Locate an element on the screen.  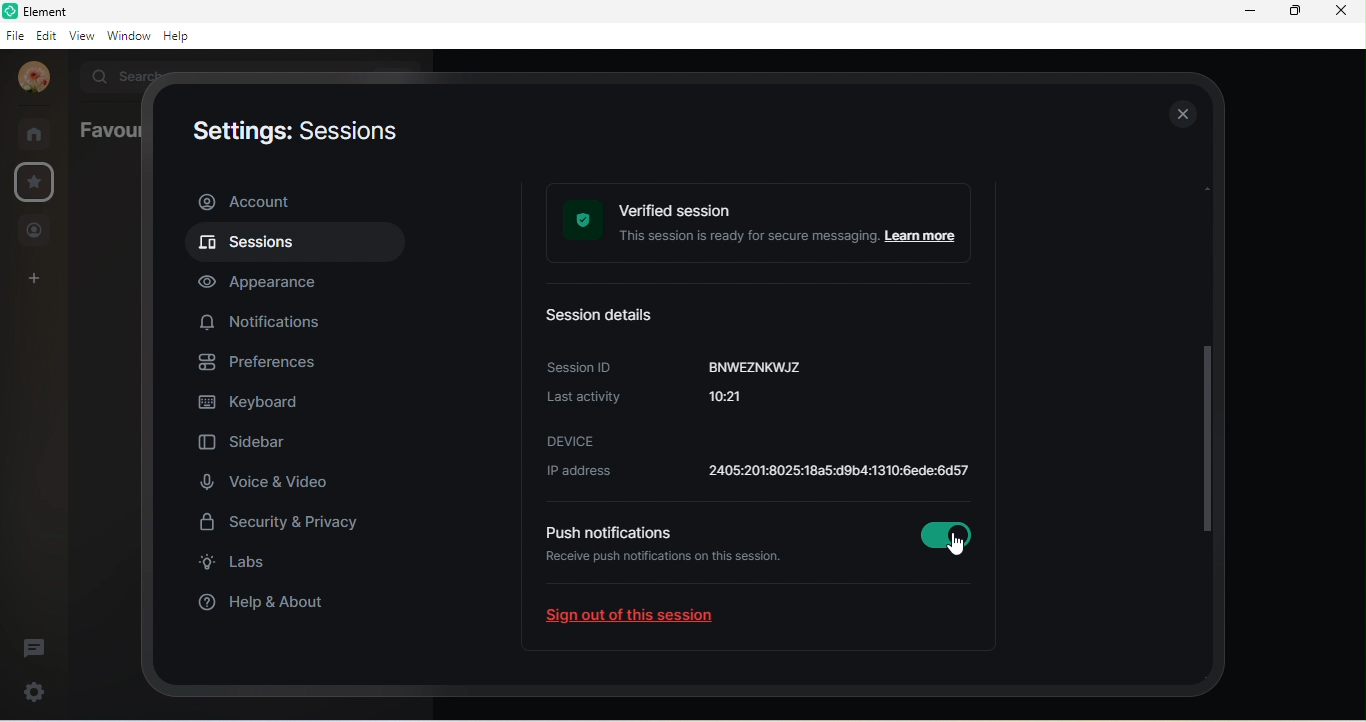
close is located at coordinates (1339, 11).